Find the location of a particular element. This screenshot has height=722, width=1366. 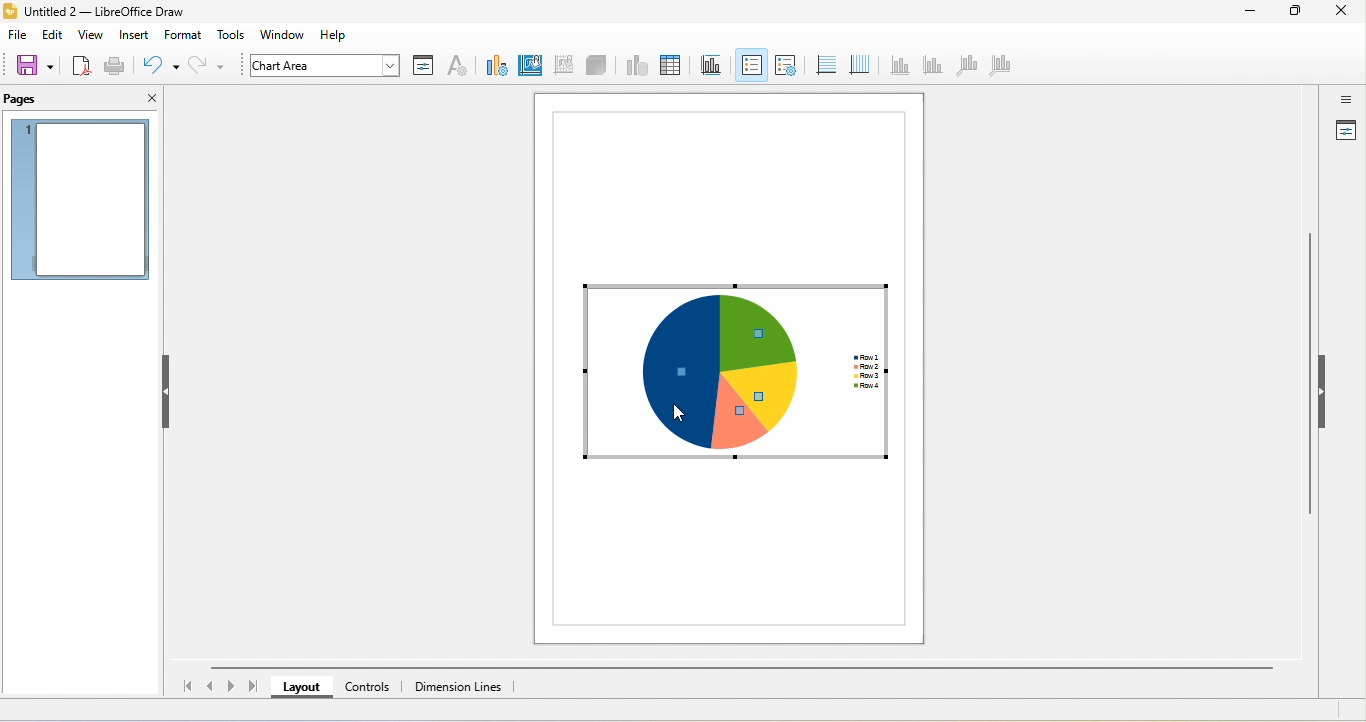

horizontal scroll bar is located at coordinates (739, 668).